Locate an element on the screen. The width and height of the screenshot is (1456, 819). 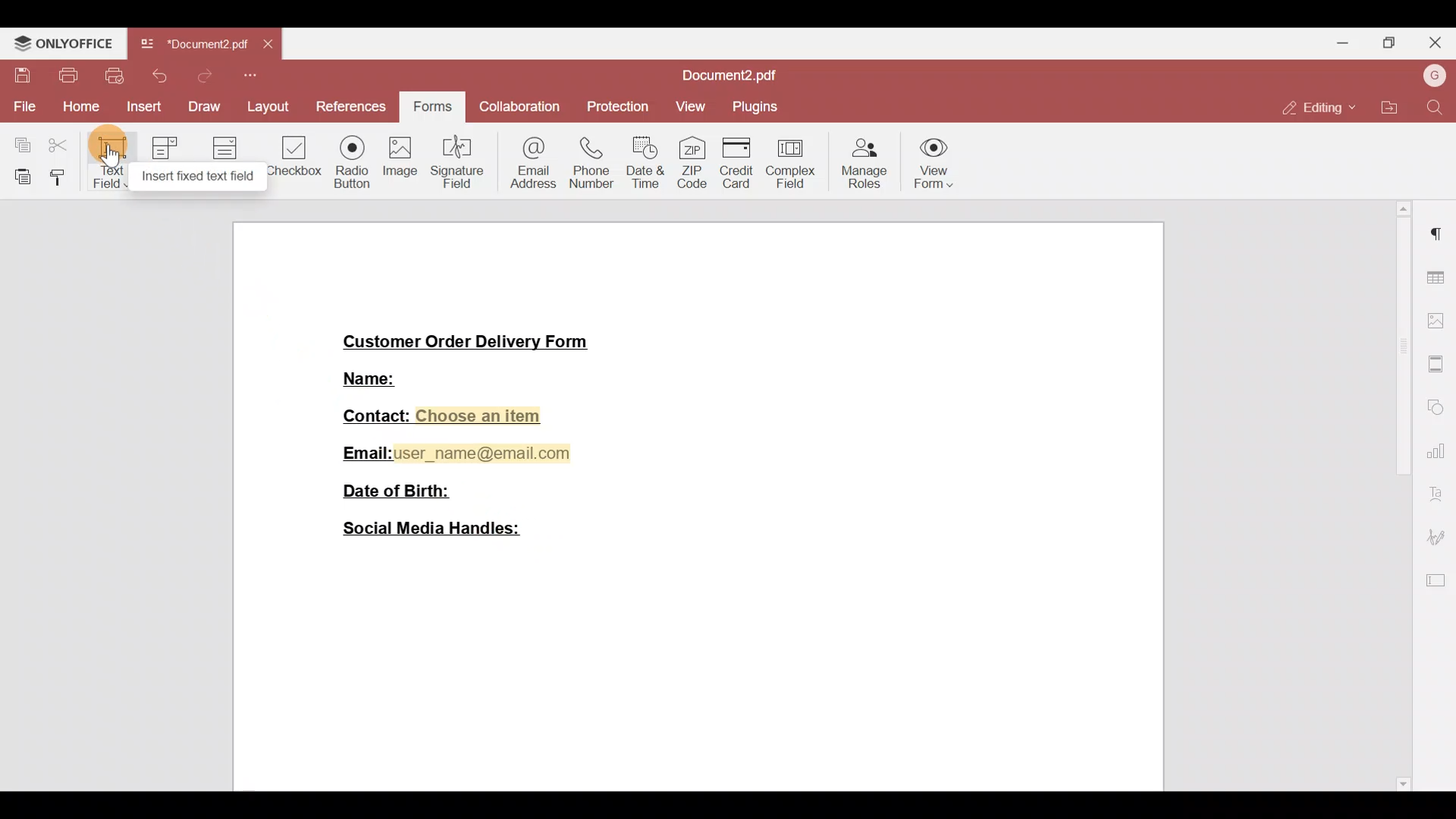
Protection is located at coordinates (614, 108).